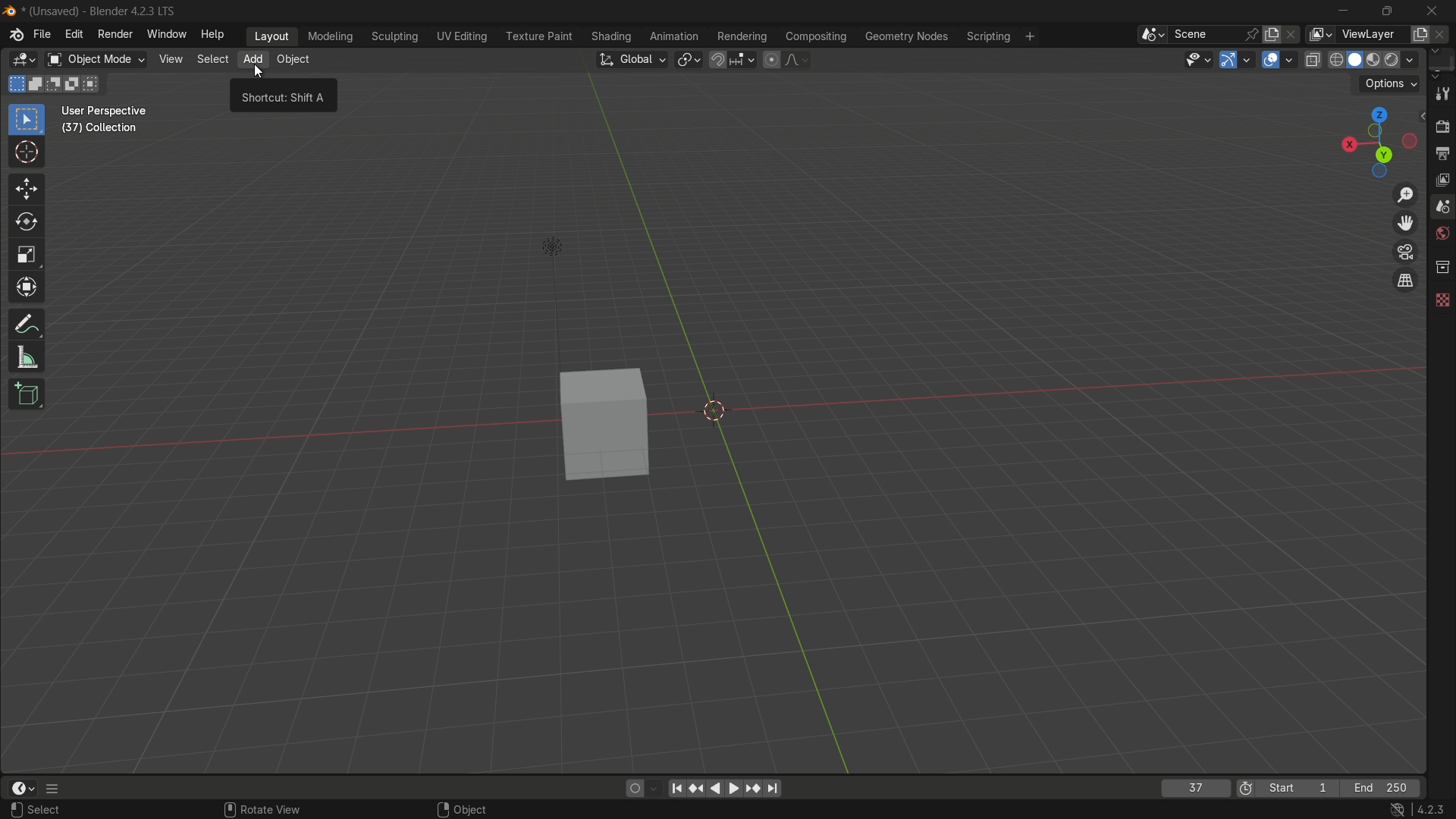 The width and height of the screenshot is (1456, 819). What do you see at coordinates (37, 84) in the screenshot?
I see `extend existing selection` at bounding box center [37, 84].